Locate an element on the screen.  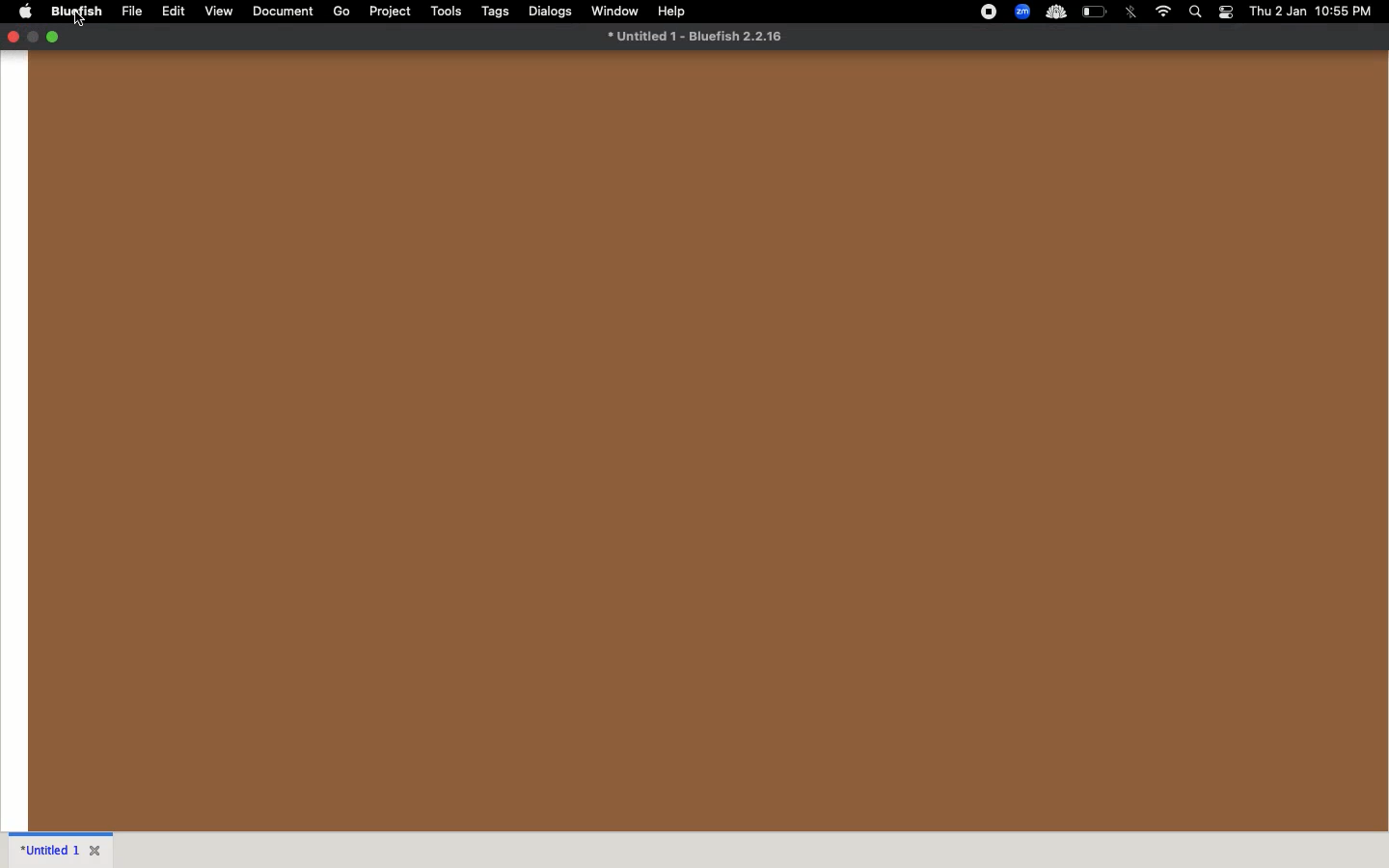
close is located at coordinates (97, 849).